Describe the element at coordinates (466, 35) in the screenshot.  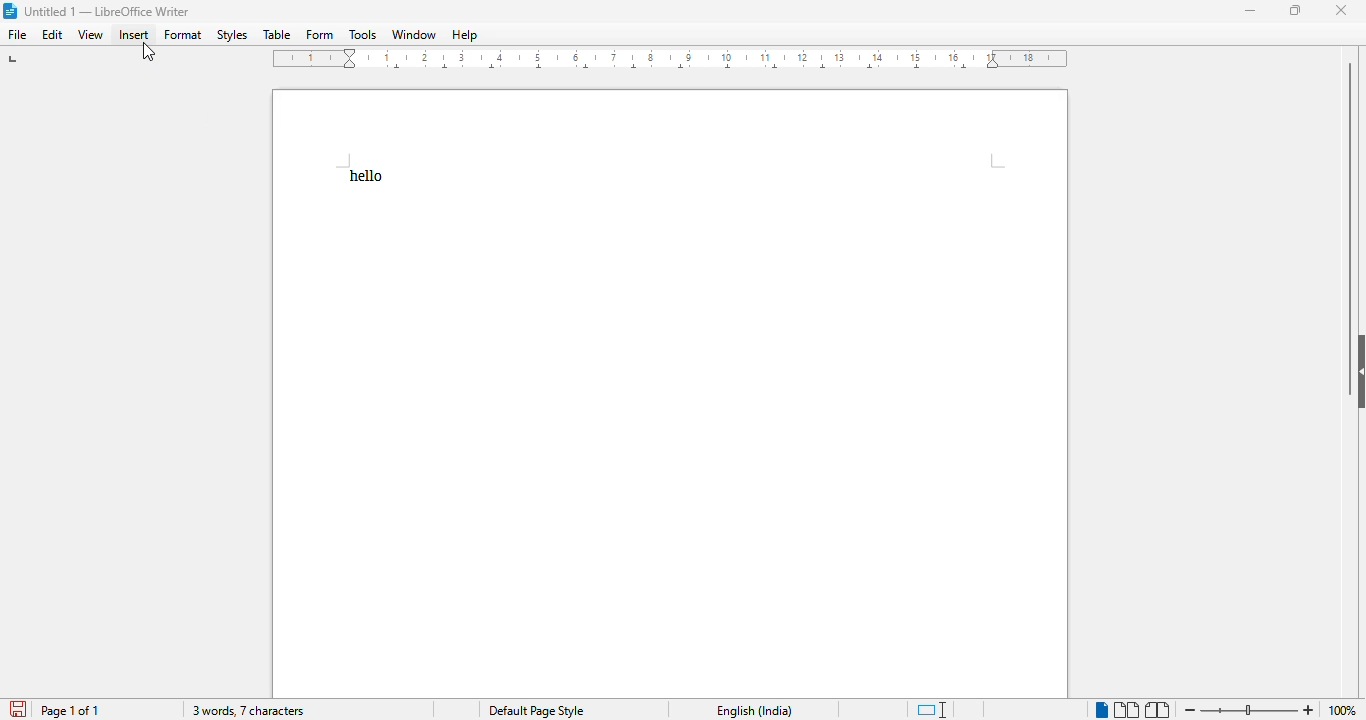
I see `help` at that location.